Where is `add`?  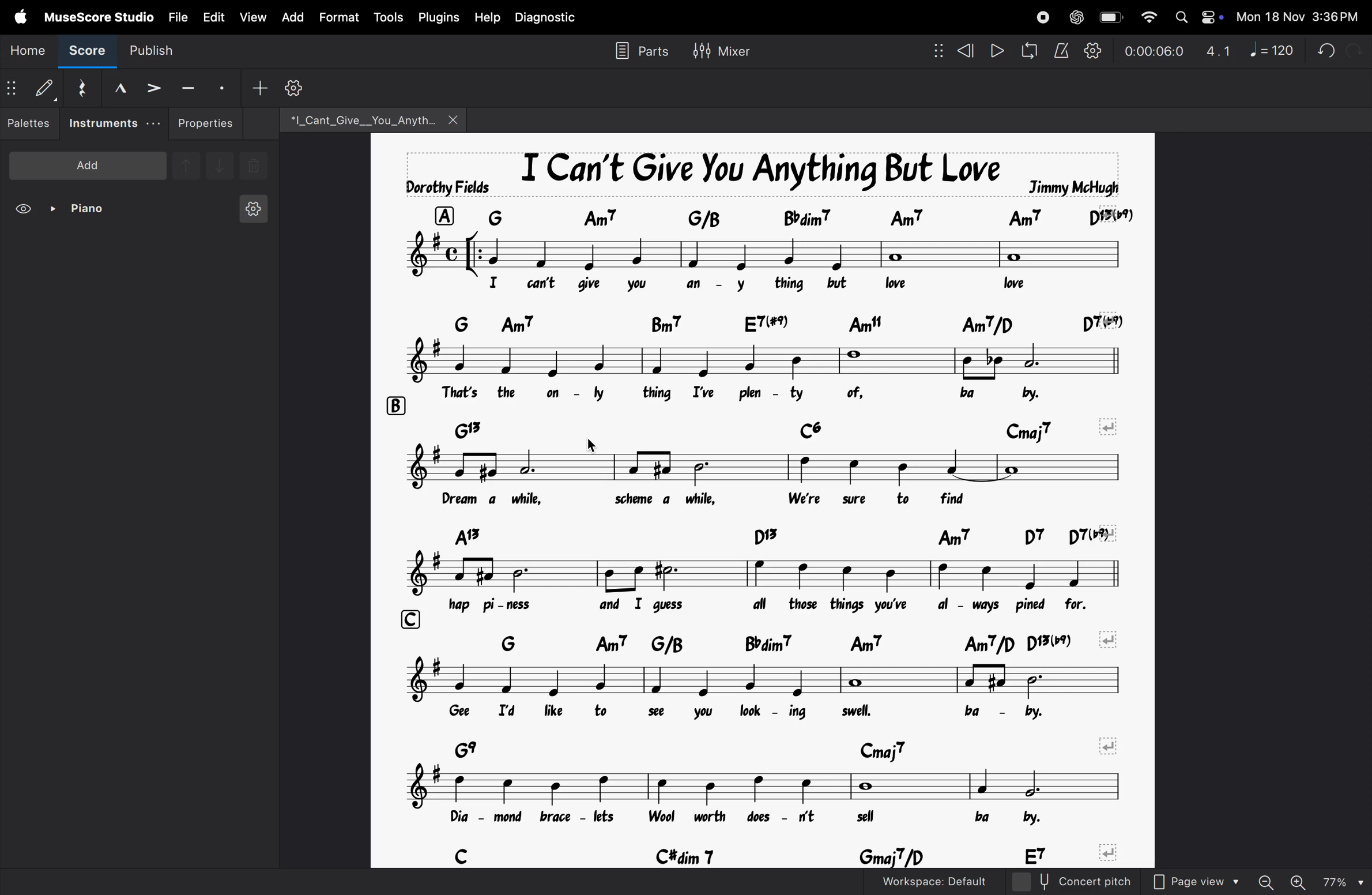
add is located at coordinates (87, 164).